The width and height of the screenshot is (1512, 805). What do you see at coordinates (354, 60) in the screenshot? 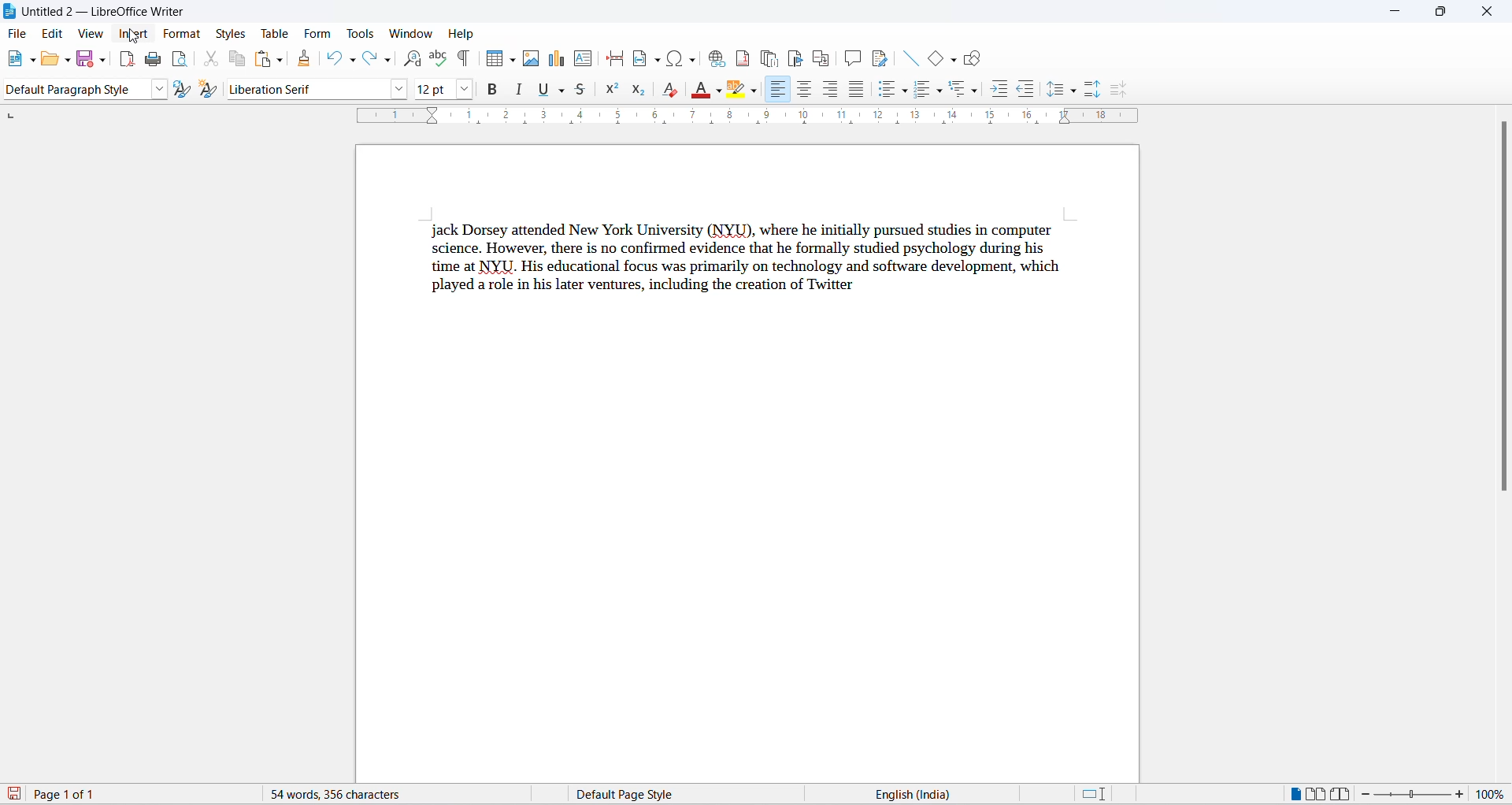
I see `undo options` at bounding box center [354, 60].